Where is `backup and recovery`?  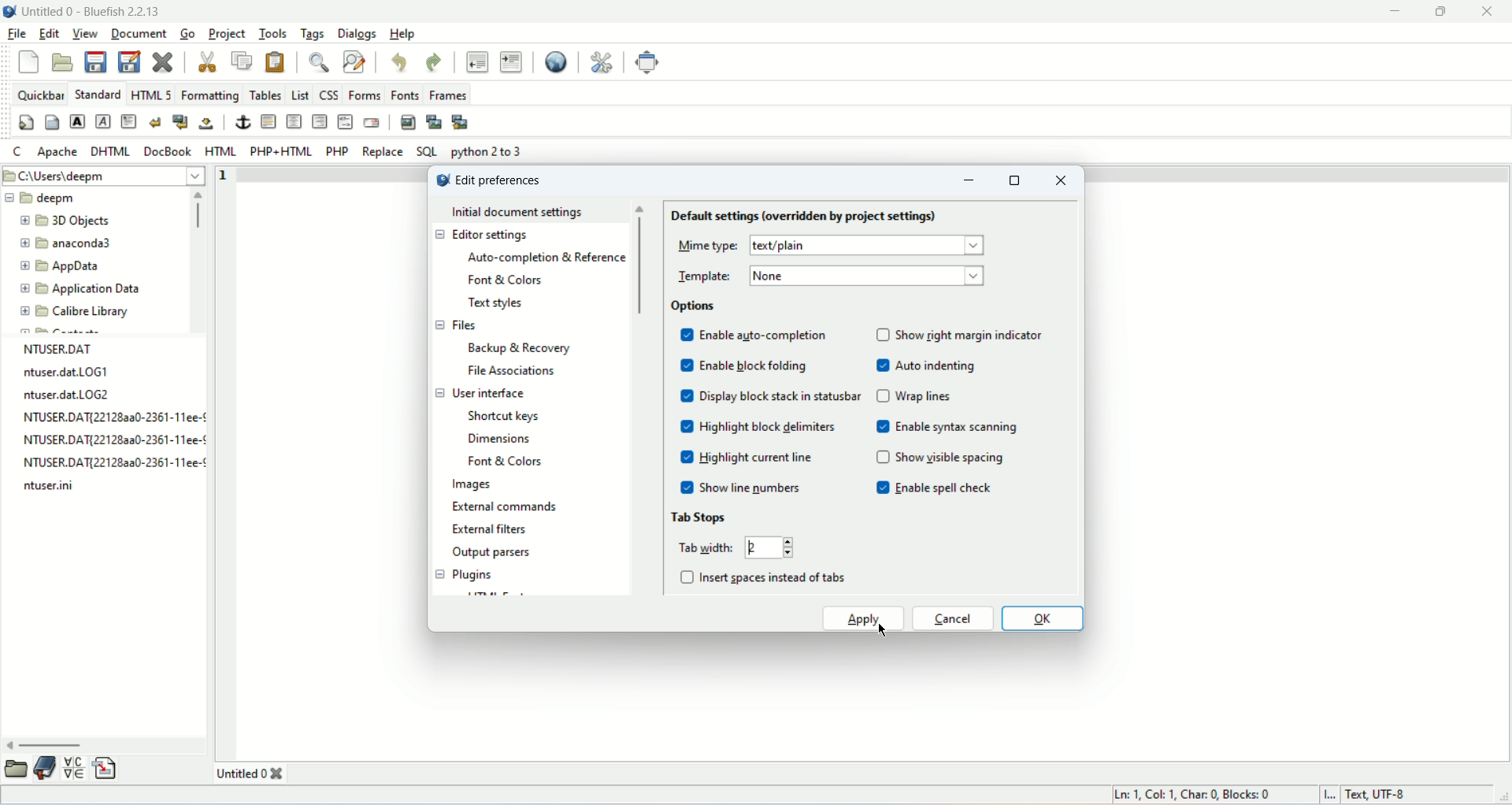 backup and recovery is located at coordinates (522, 351).